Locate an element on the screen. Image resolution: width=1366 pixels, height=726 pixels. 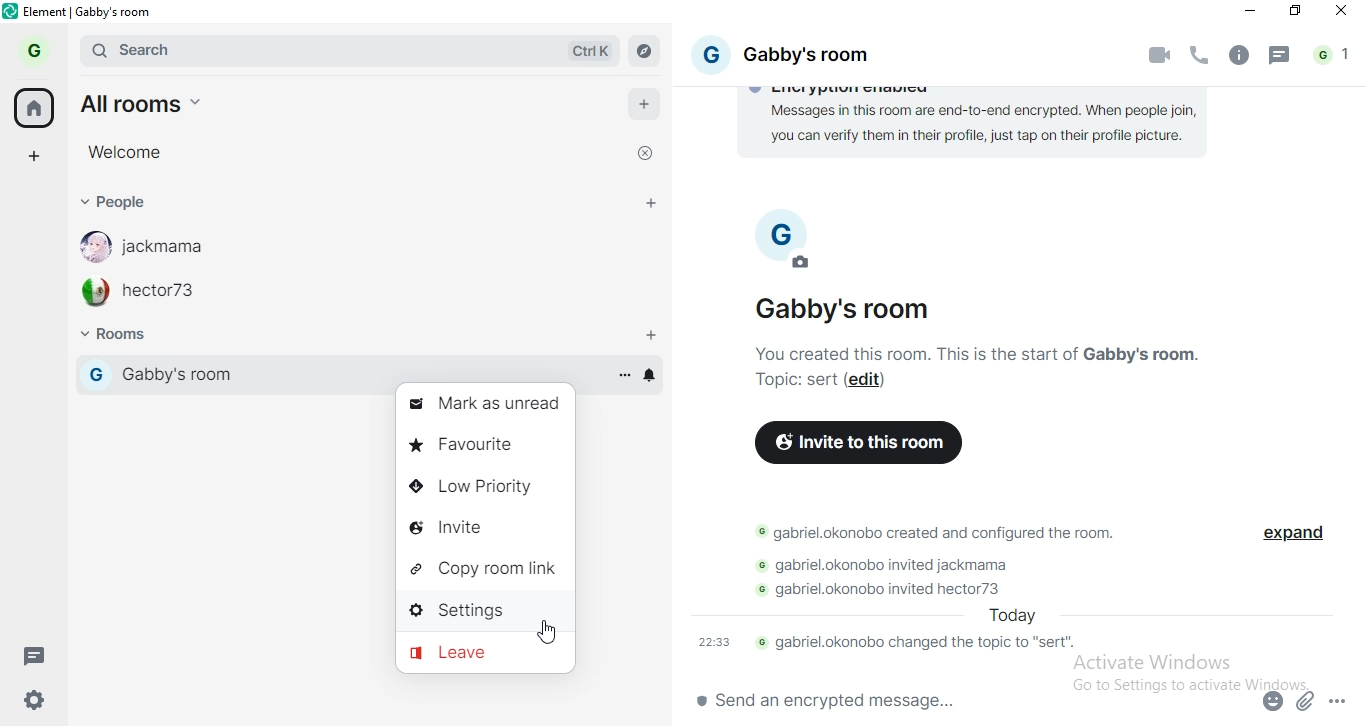
search bar is located at coordinates (249, 50).